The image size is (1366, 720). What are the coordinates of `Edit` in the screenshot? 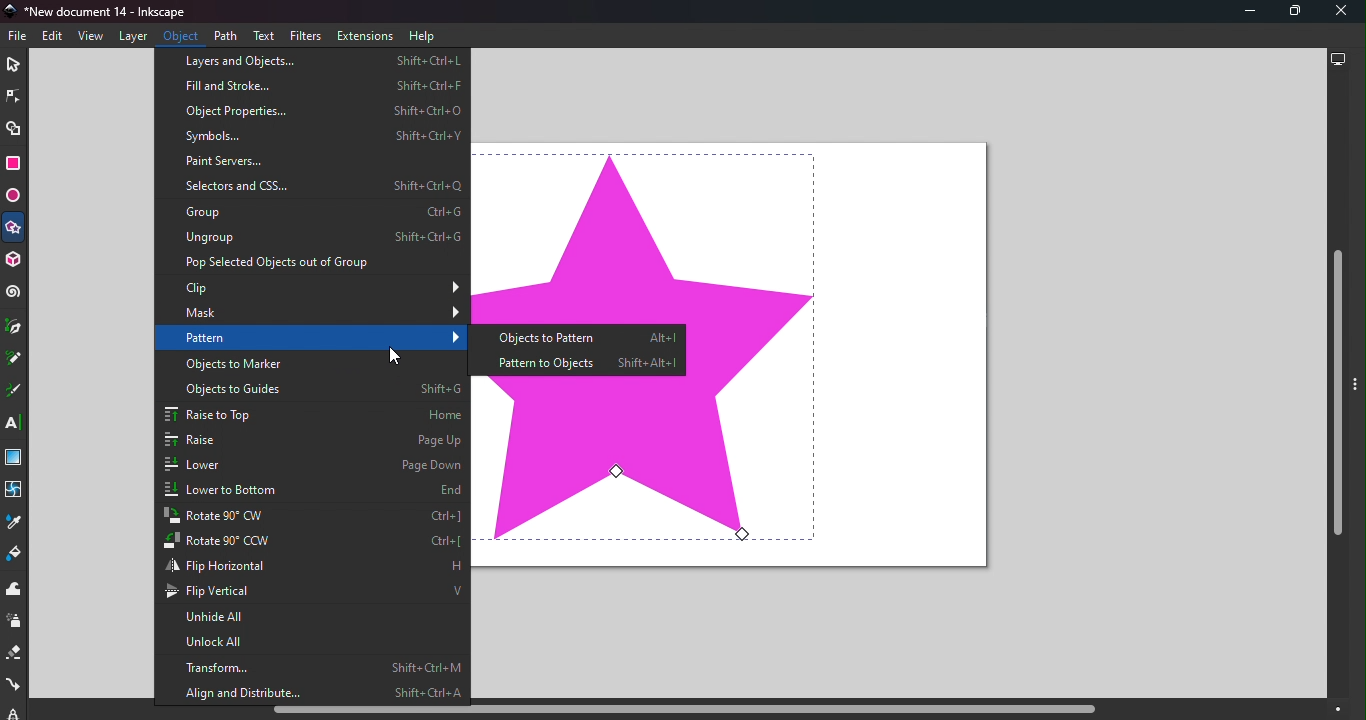 It's located at (52, 37).